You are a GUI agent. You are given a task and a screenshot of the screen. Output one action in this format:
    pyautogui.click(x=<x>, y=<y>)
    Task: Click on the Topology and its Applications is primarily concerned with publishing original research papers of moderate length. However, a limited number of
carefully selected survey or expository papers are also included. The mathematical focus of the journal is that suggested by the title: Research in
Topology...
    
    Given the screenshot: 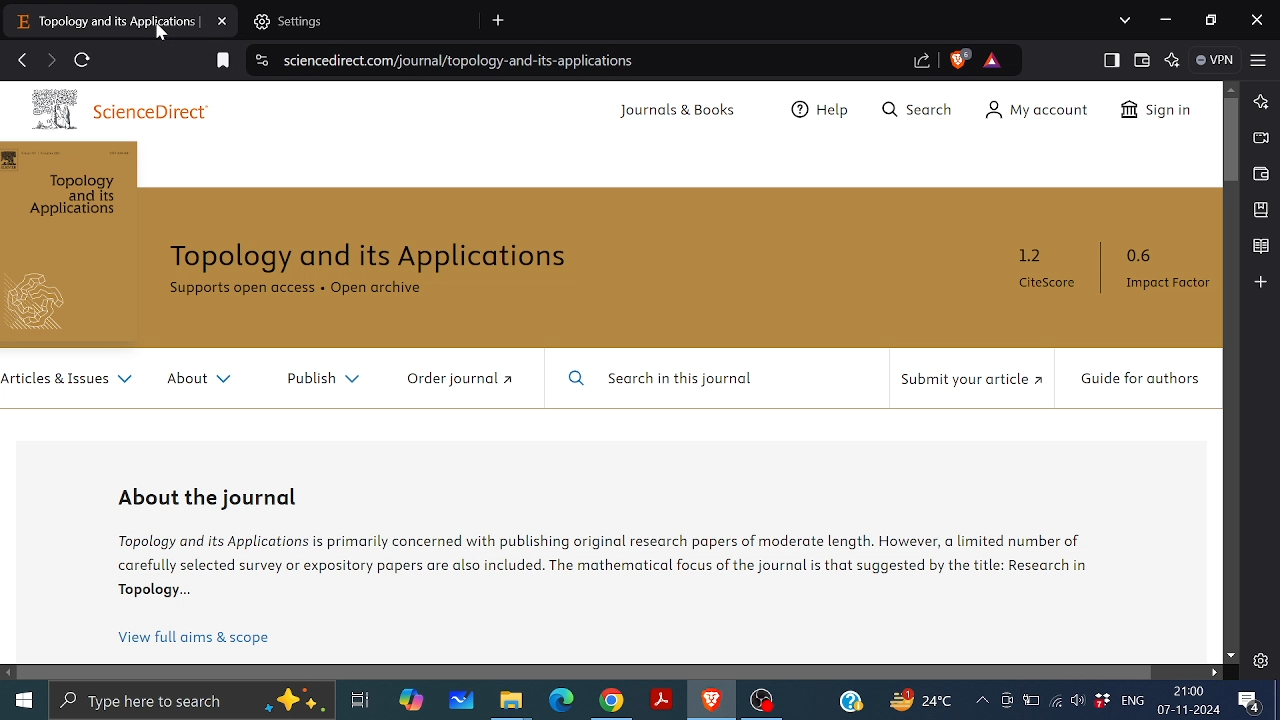 What is the action you would take?
    pyautogui.click(x=610, y=571)
    